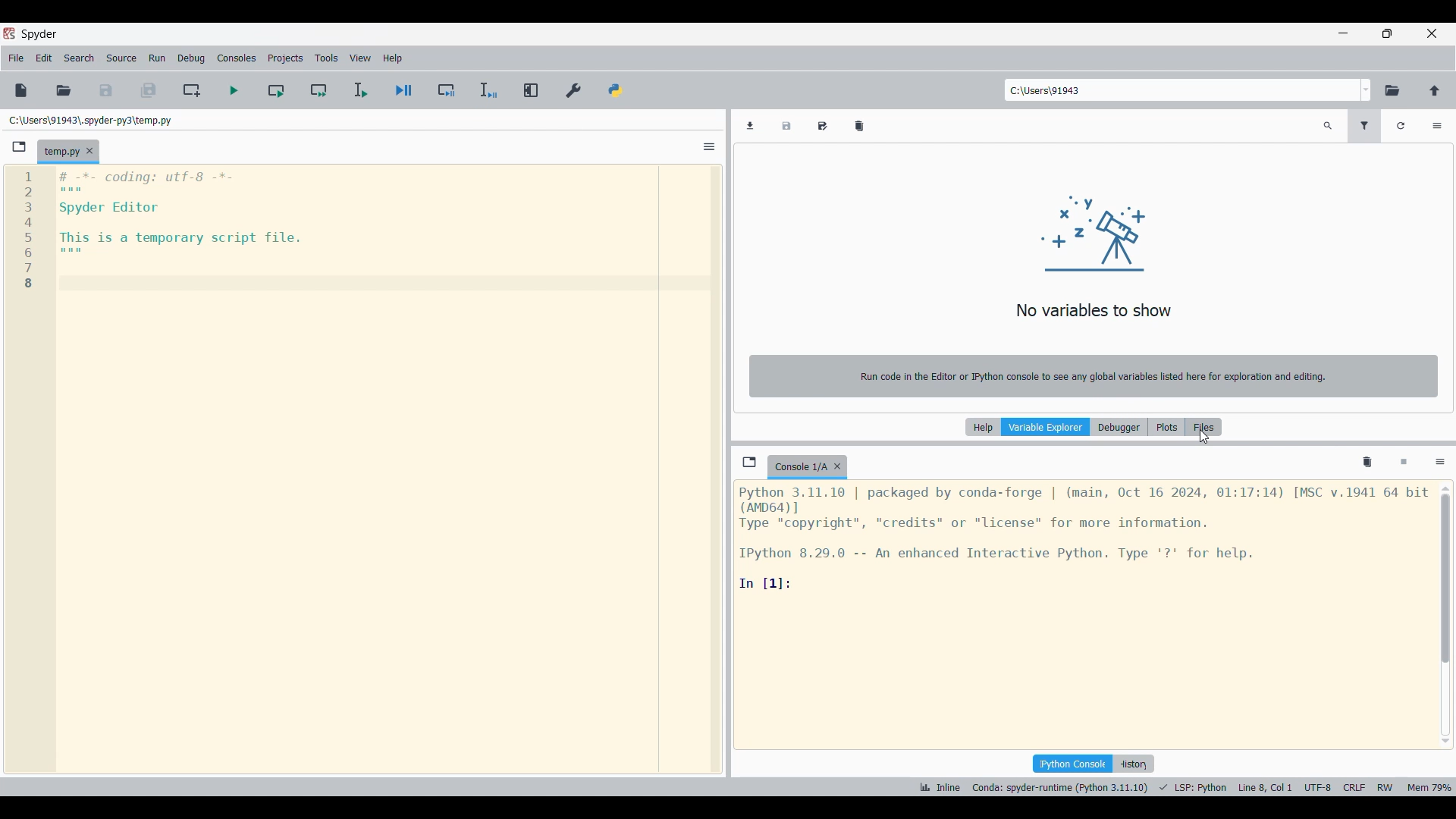 Image resolution: width=1456 pixels, height=819 pixels. What do you see at coordinates (285, 58) in the screenshot?
I see `Projects menu` at bounding box center [285, 58].